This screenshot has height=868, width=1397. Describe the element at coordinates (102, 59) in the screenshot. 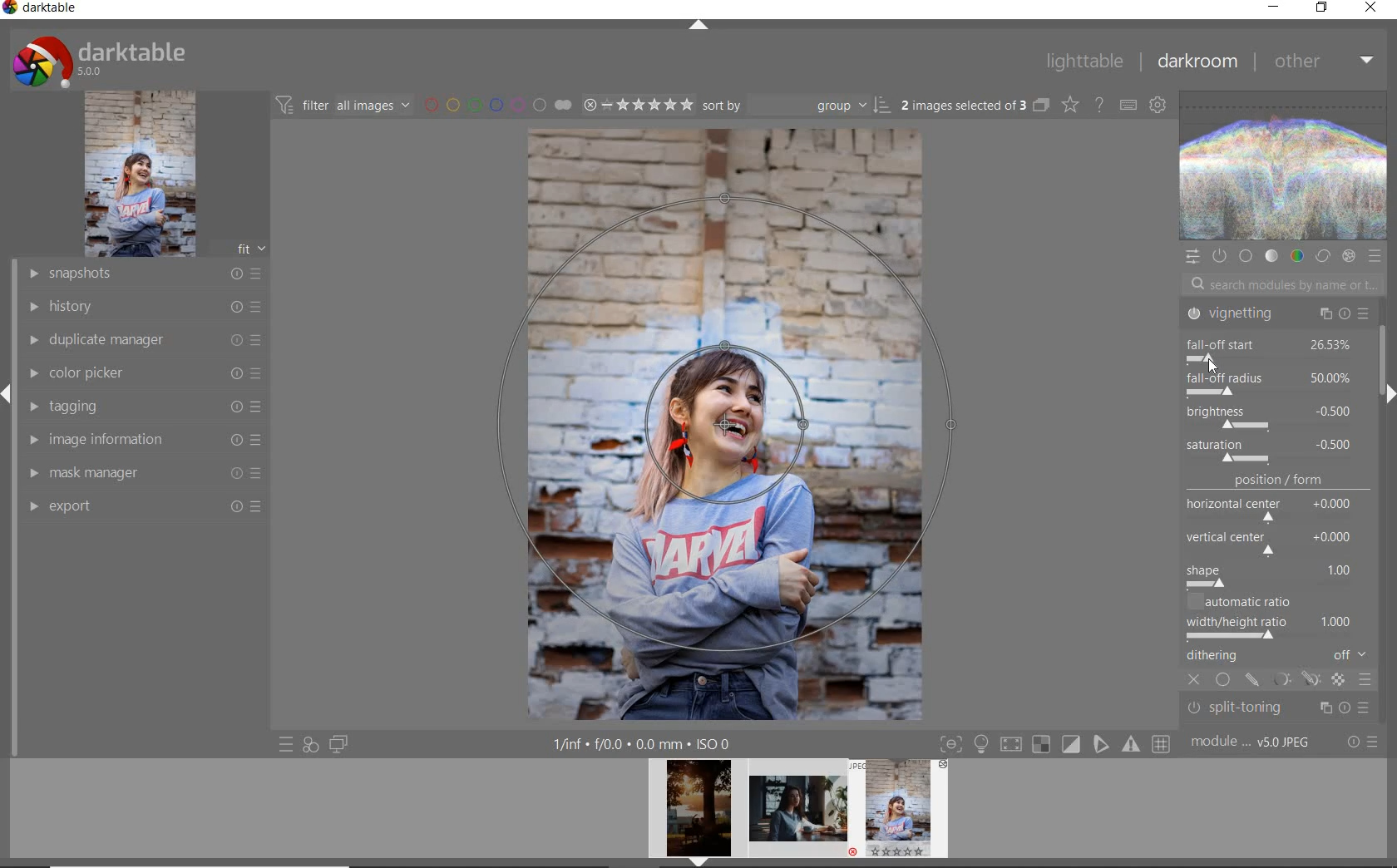

I see `system logo and name` at that location.